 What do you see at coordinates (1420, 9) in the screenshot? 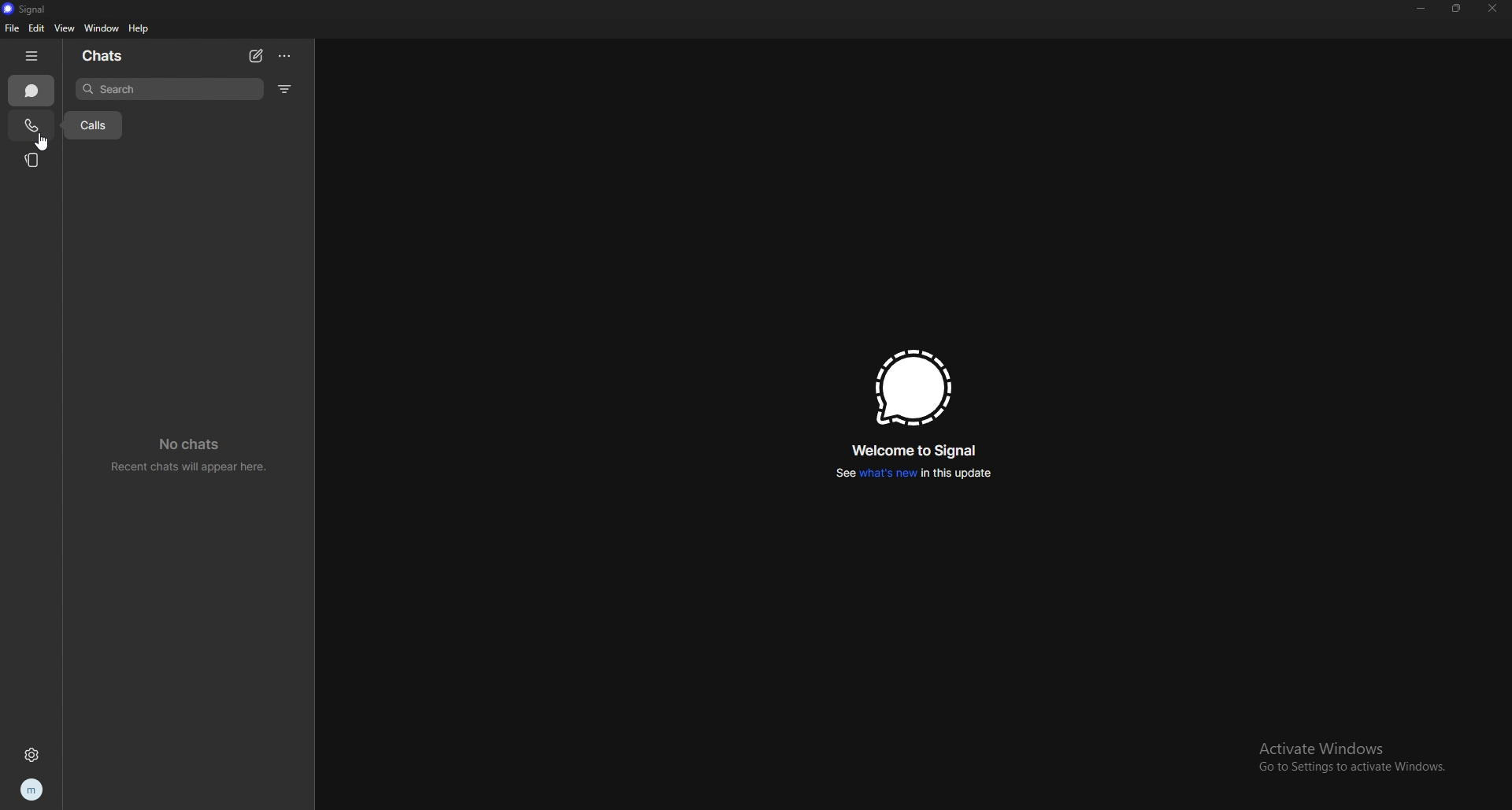
I see `minimize` at bounding box center [1420, 9].